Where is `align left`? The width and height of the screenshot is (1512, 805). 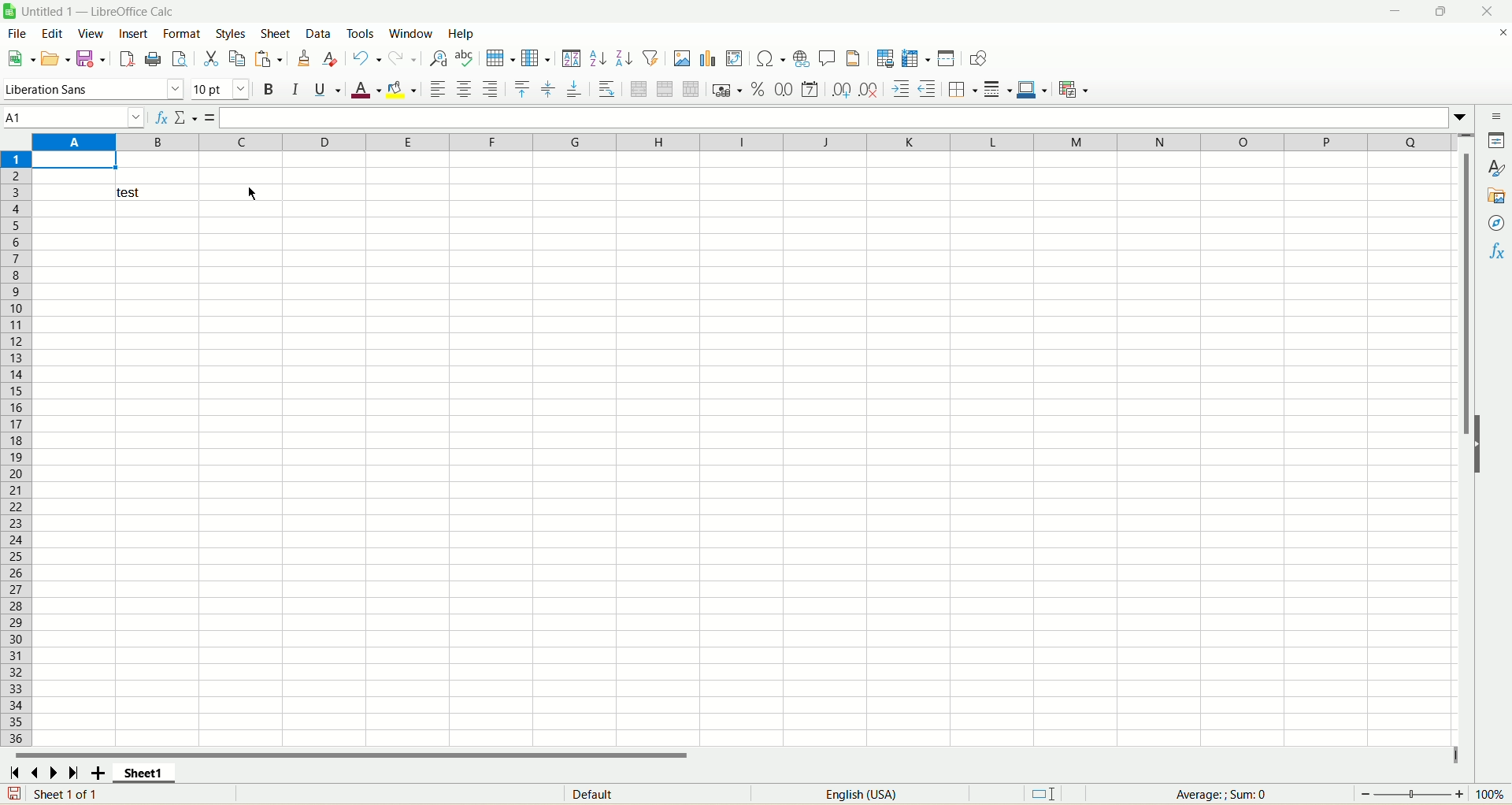 align left is located at coordinates (491, 89).